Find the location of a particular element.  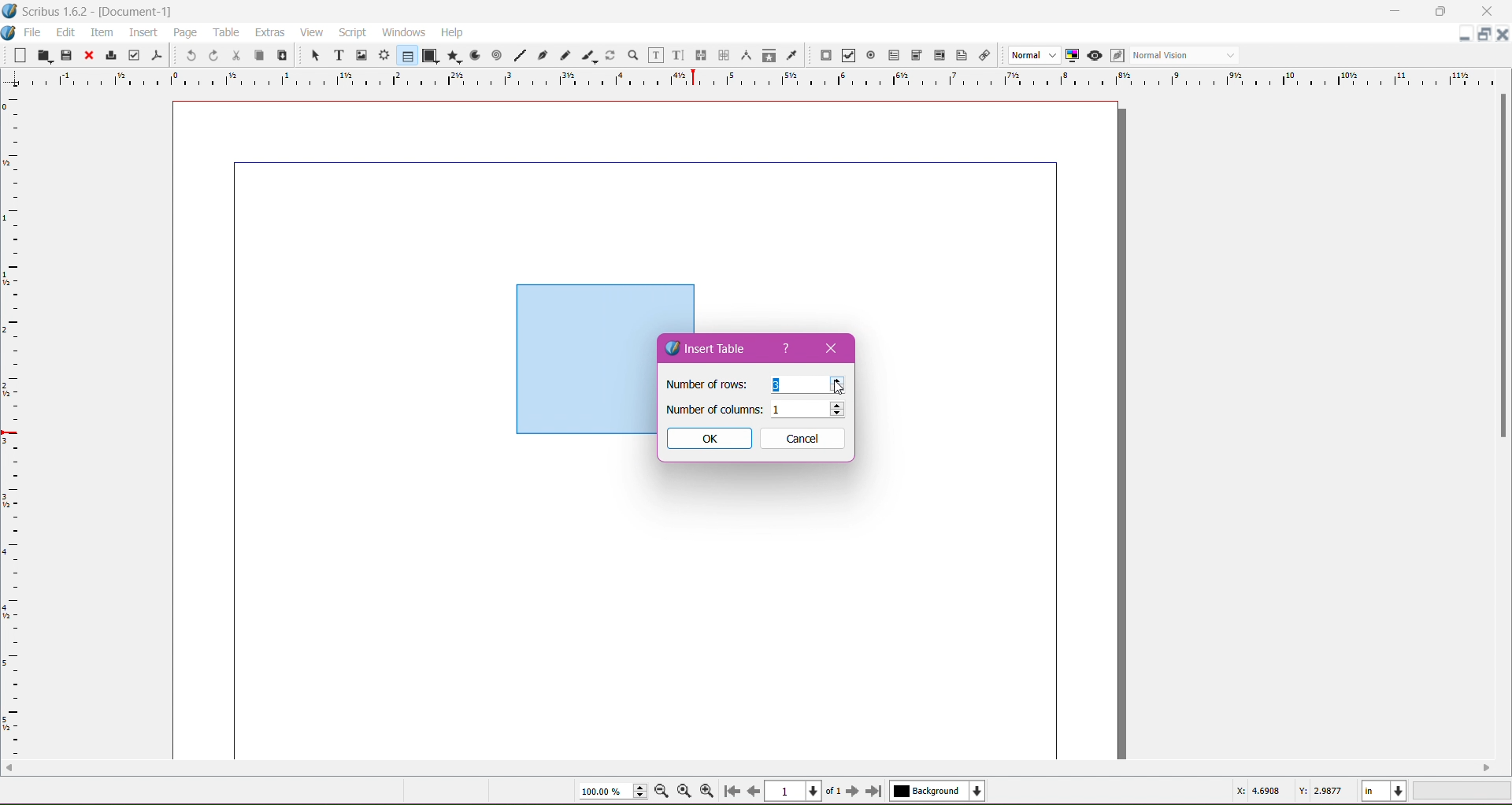

 is located at coordinates (352, 32).